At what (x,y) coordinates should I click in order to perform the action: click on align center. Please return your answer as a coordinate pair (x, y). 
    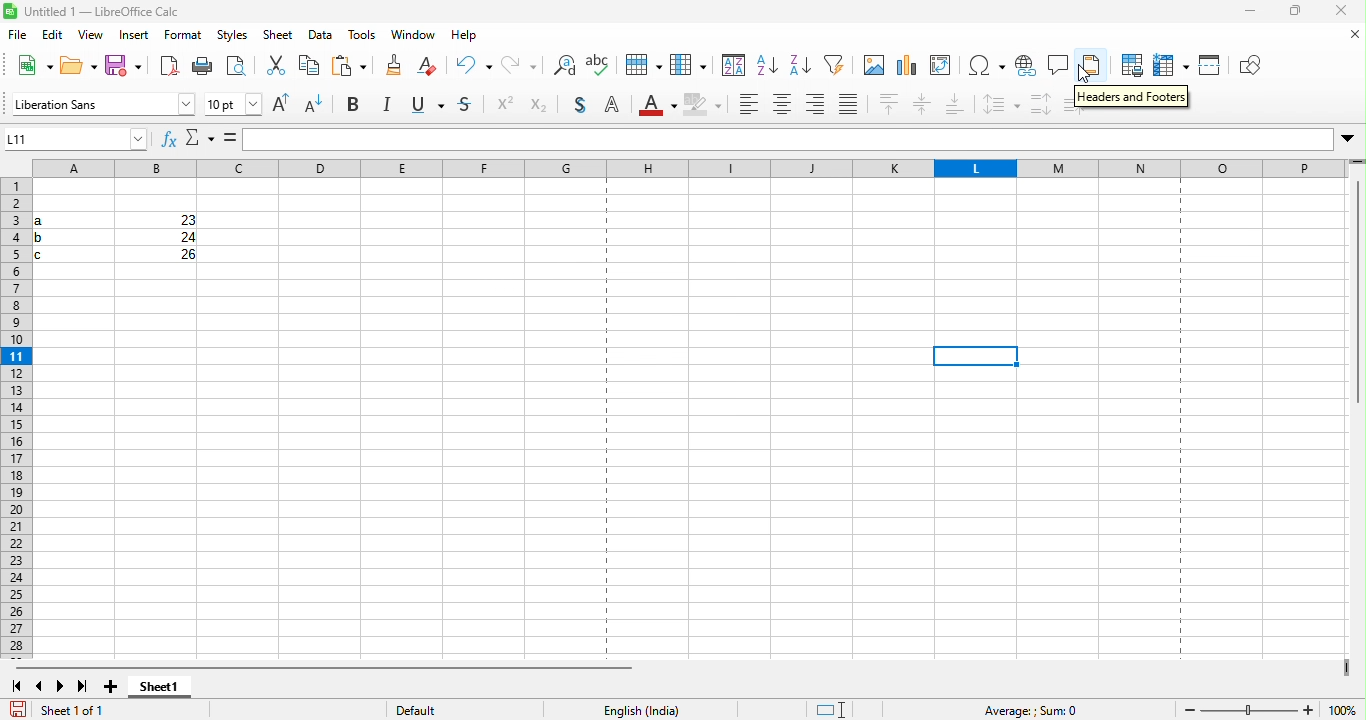
    Looking at the image, I should click on (781, 108).